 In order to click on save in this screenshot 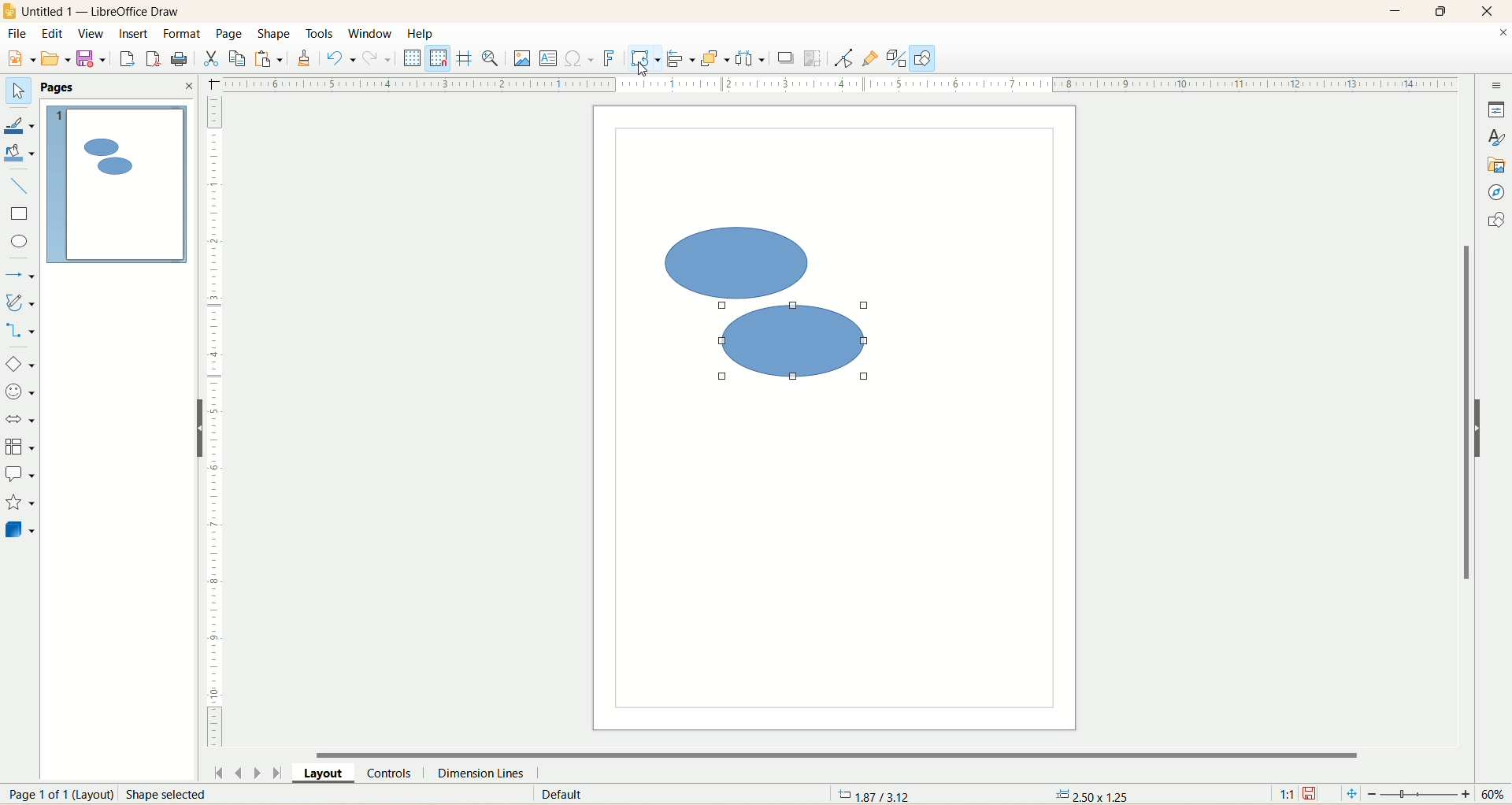, I will do `click(91, 60)`.